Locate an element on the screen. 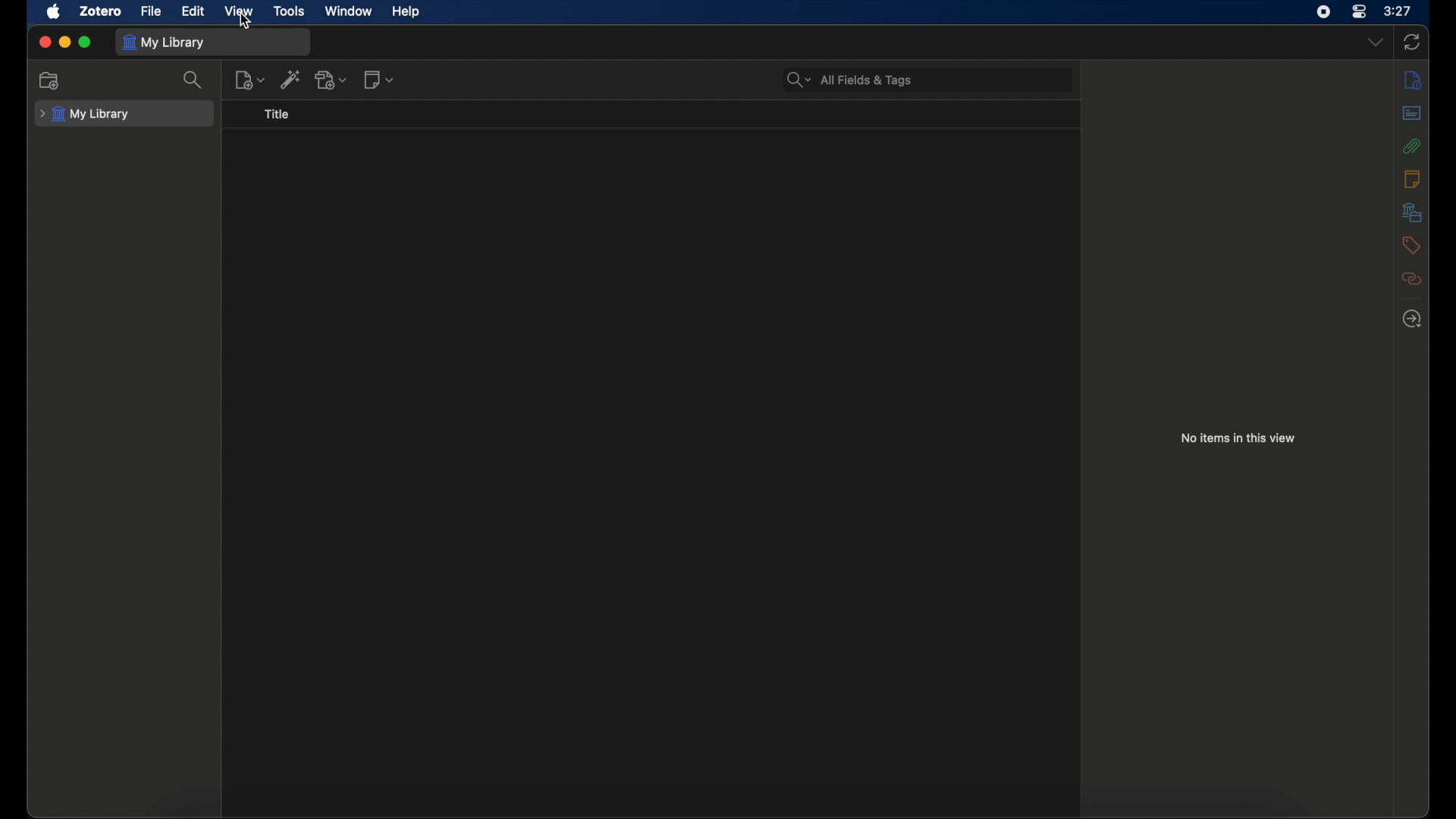 The width and height of the screenshot is (1456, 819). add item by identifier is located at coordinates (290, 79).